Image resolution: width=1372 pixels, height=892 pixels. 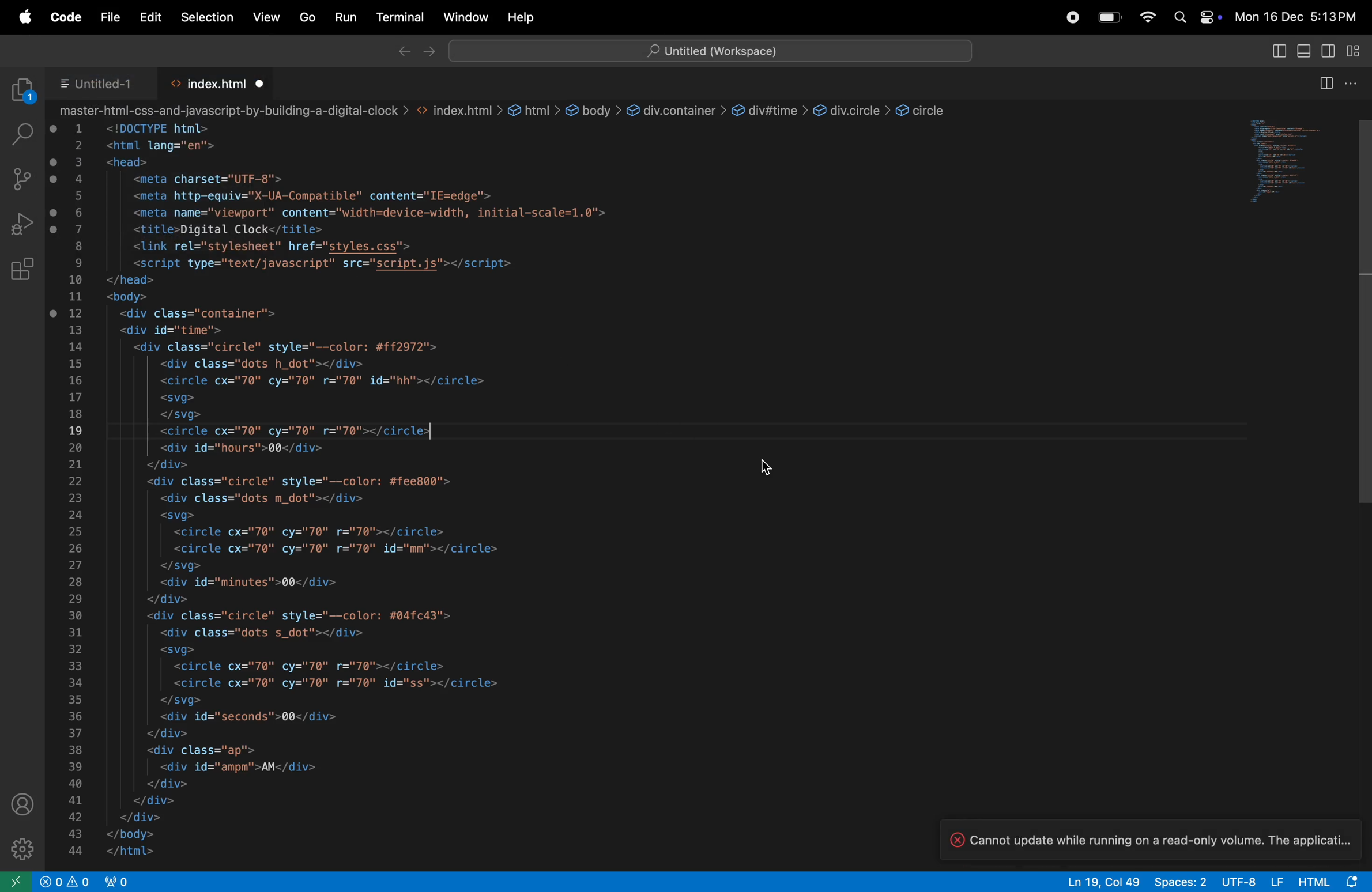 I want to click on options, so click(x=1354, y=84).